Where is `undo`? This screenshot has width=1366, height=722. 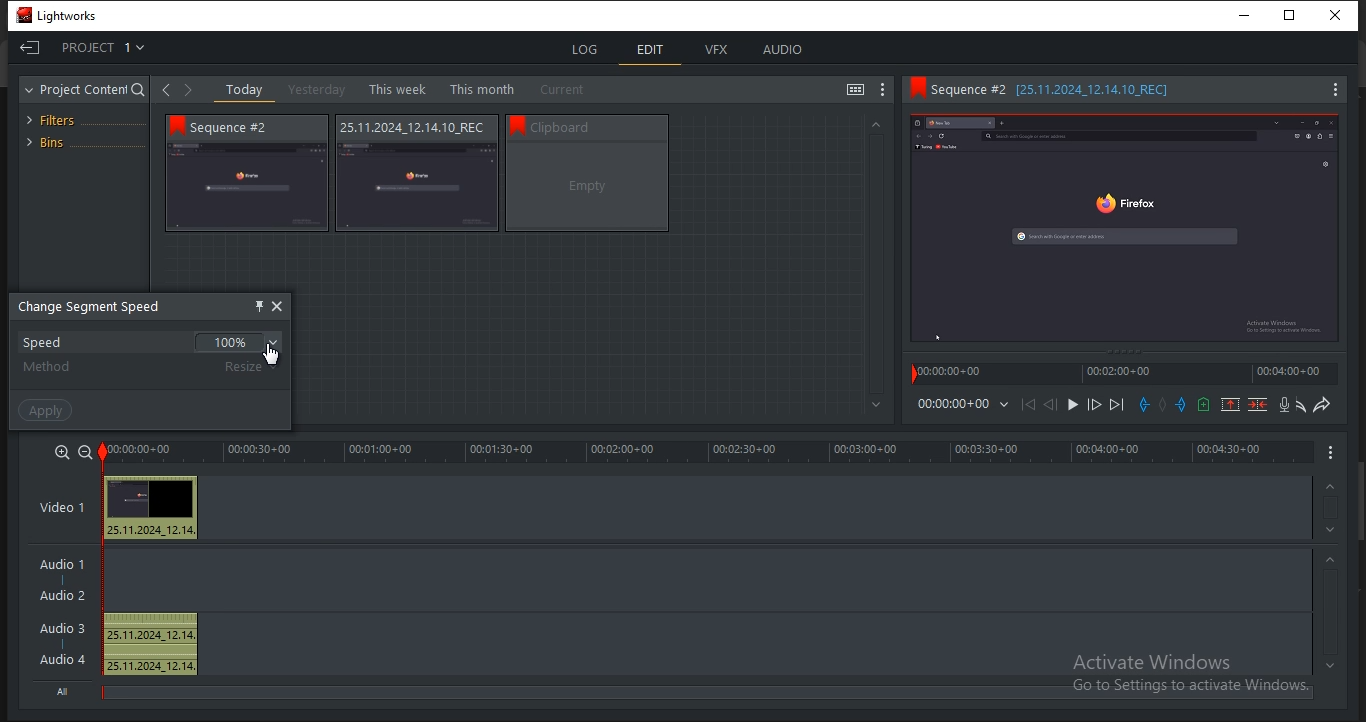
undo is located at coordinates (1298, 405).